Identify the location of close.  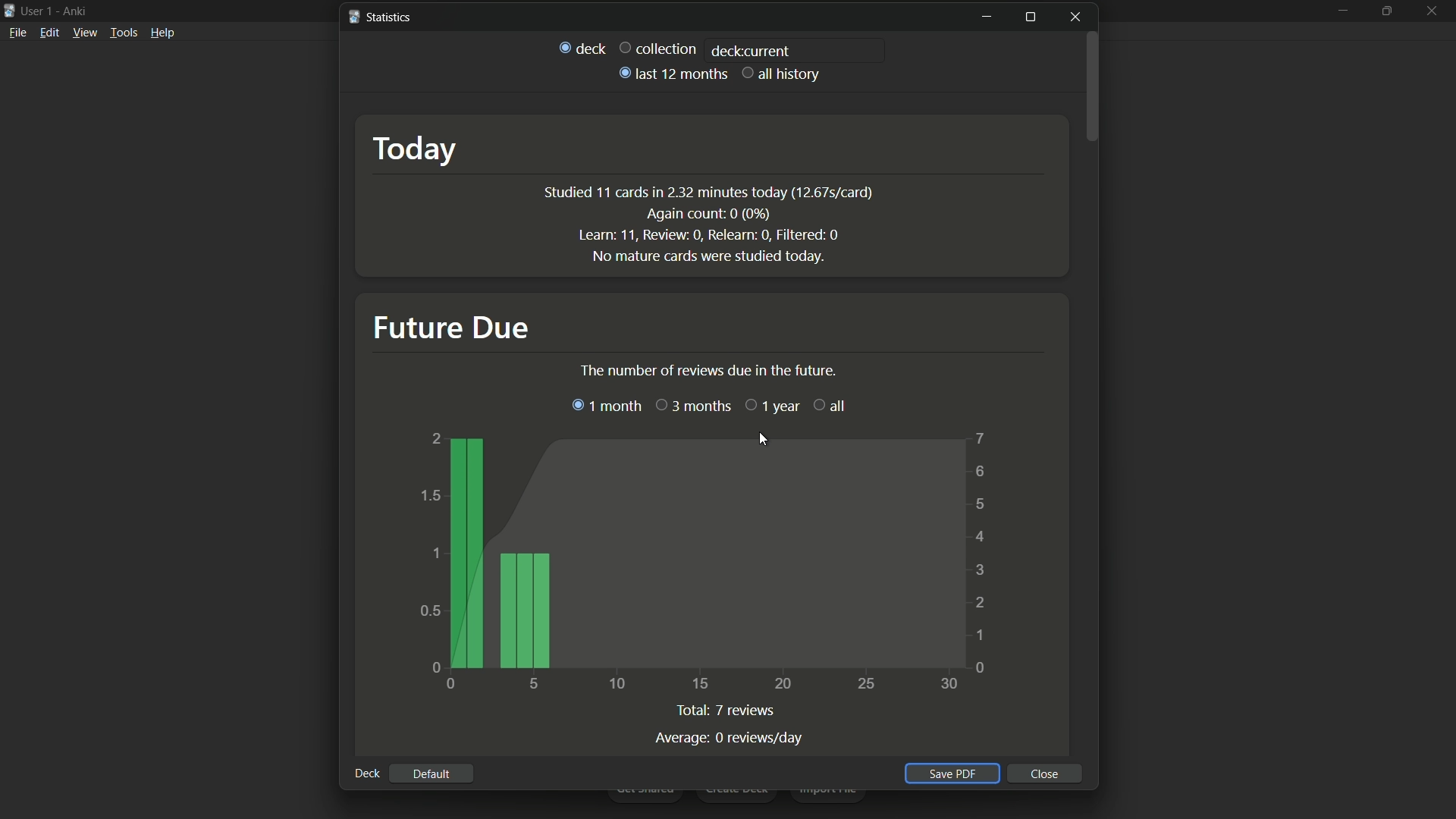
(1045, 773).